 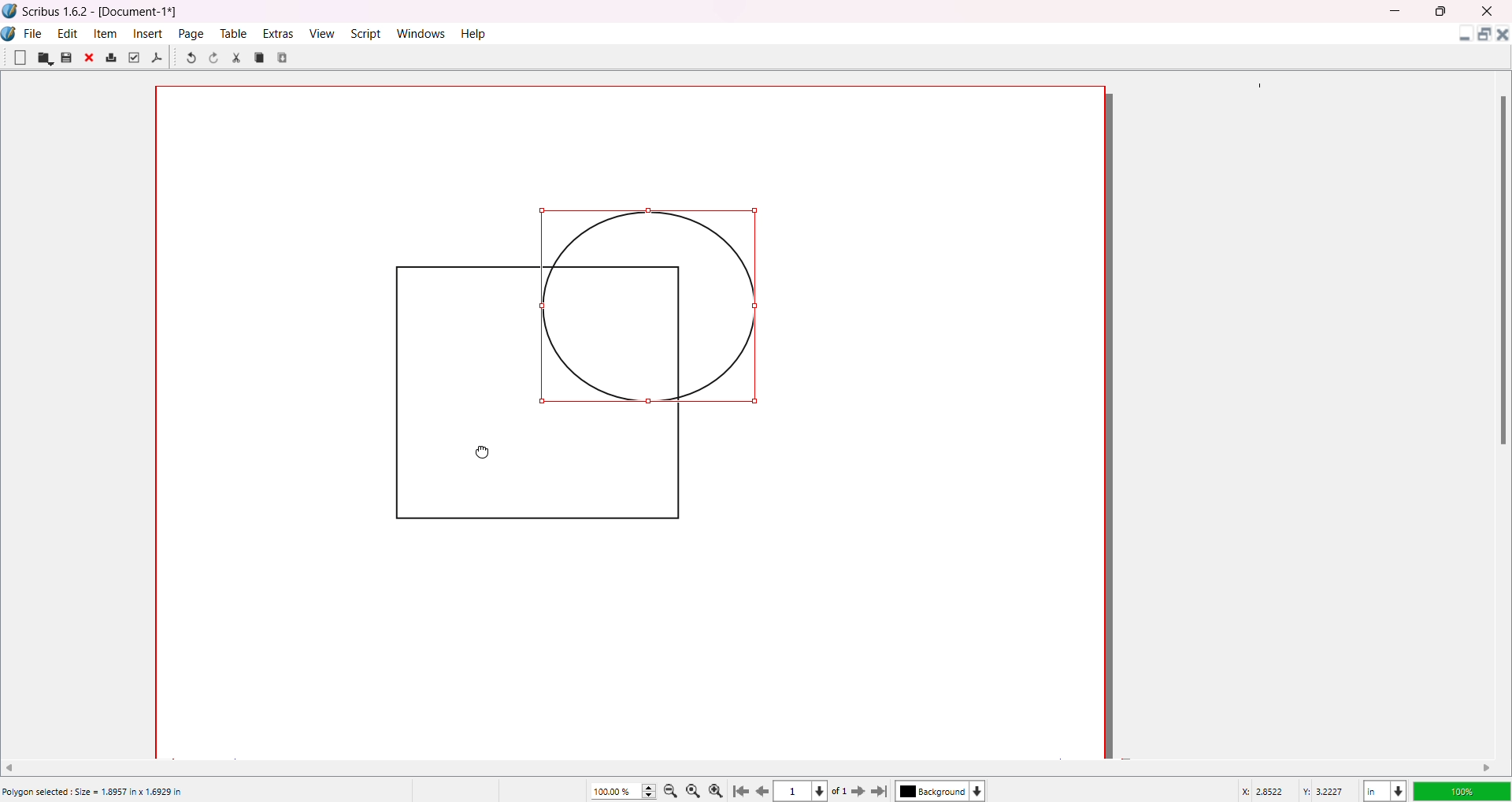 I want to click on Zoom percentage, so click(x=614, y=790).